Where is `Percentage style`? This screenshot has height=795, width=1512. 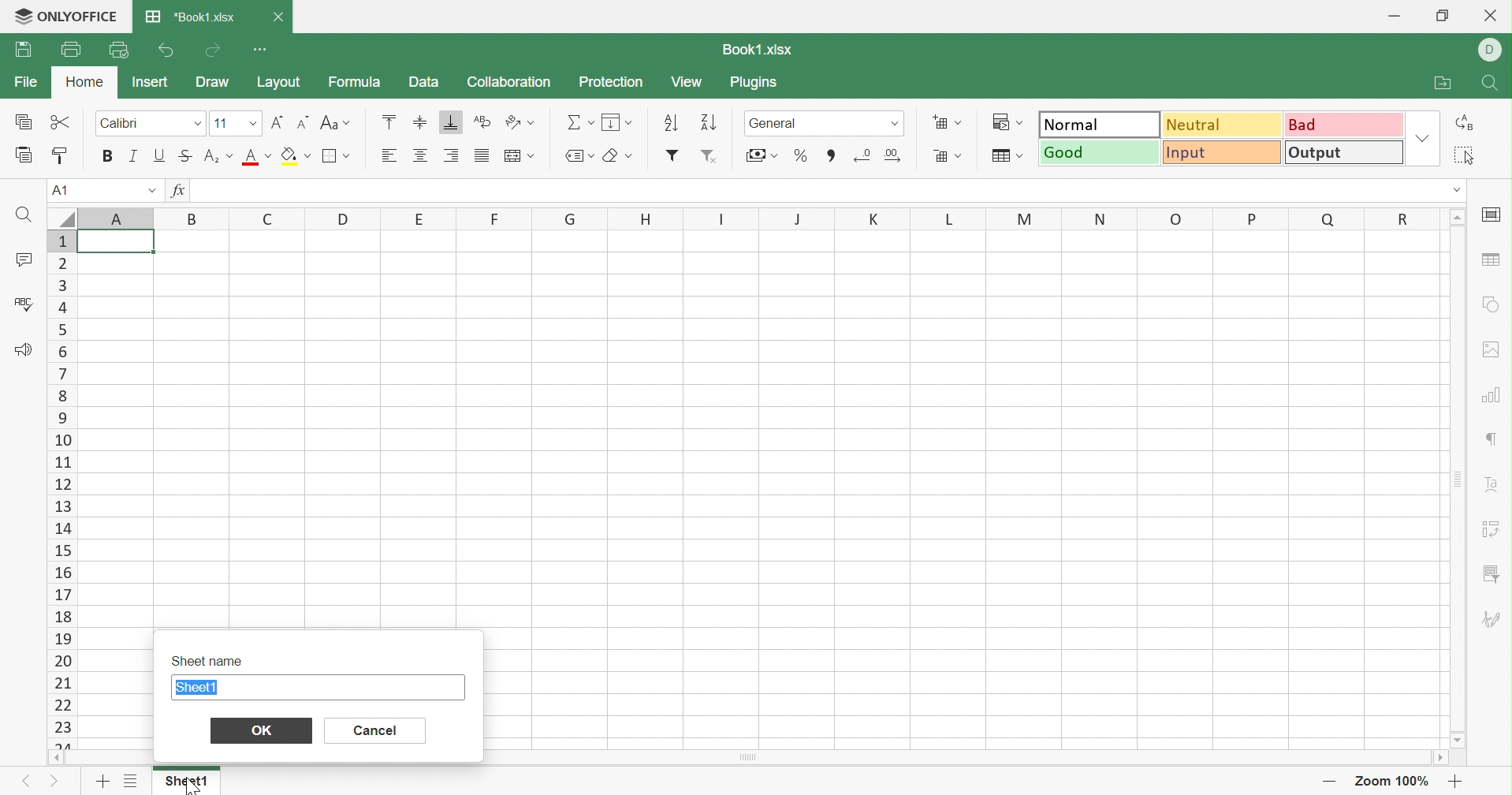 Percentage style is located at coordinates (803, 156).